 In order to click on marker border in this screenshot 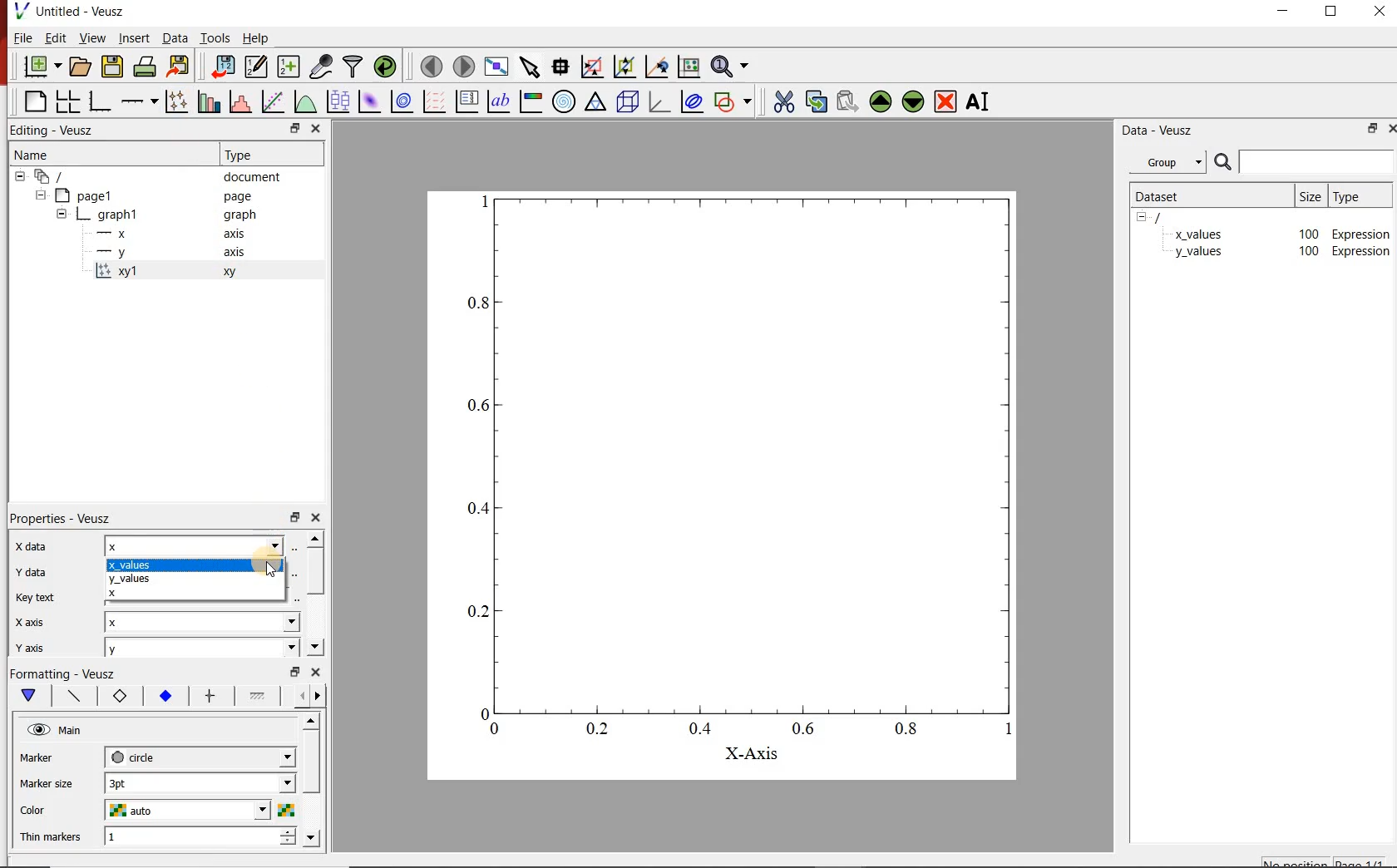, I will do `click(119, 697)`.